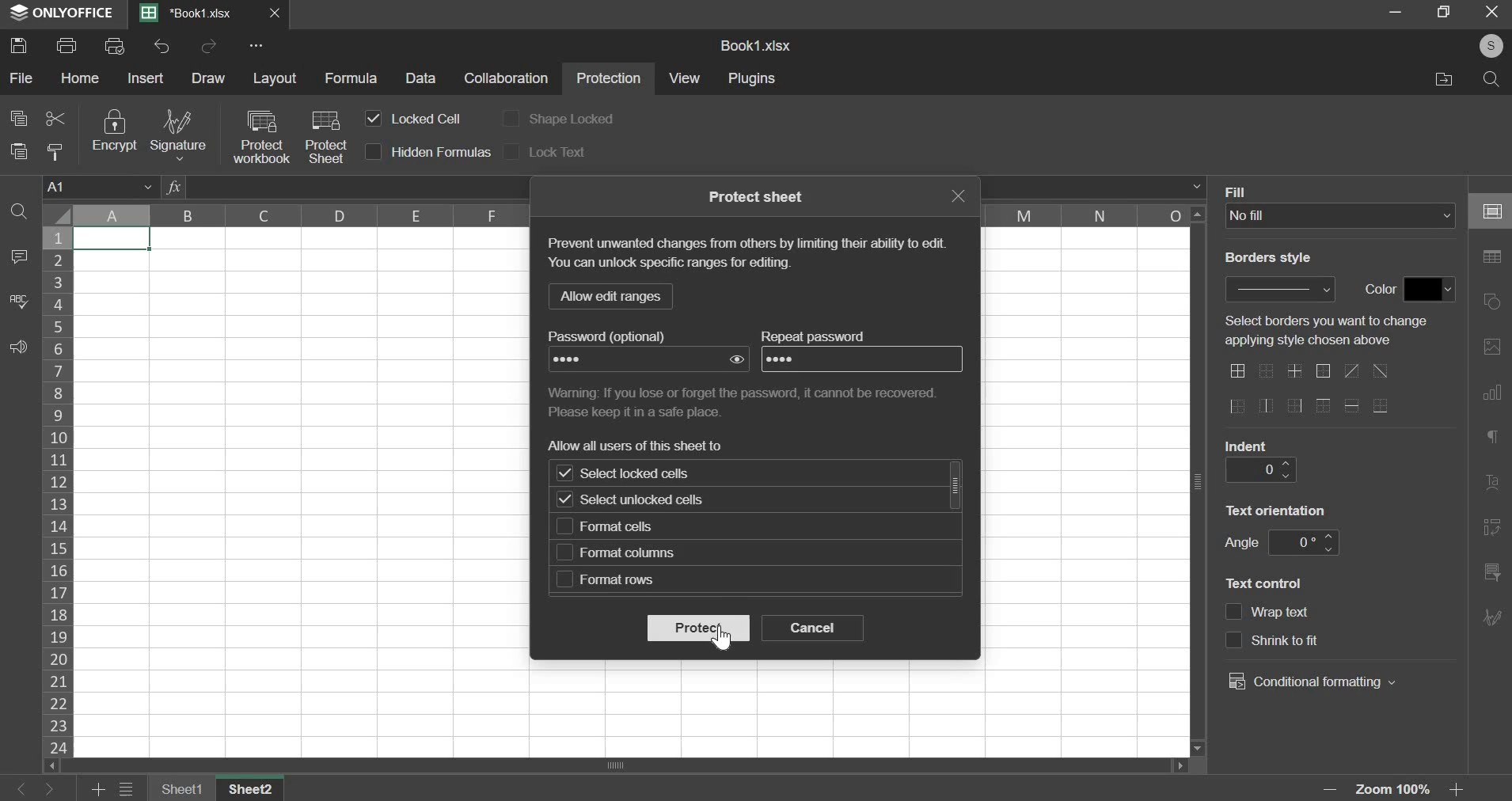 The image size is (1512, 801). I want to click on repeat password, so click(788, 359).